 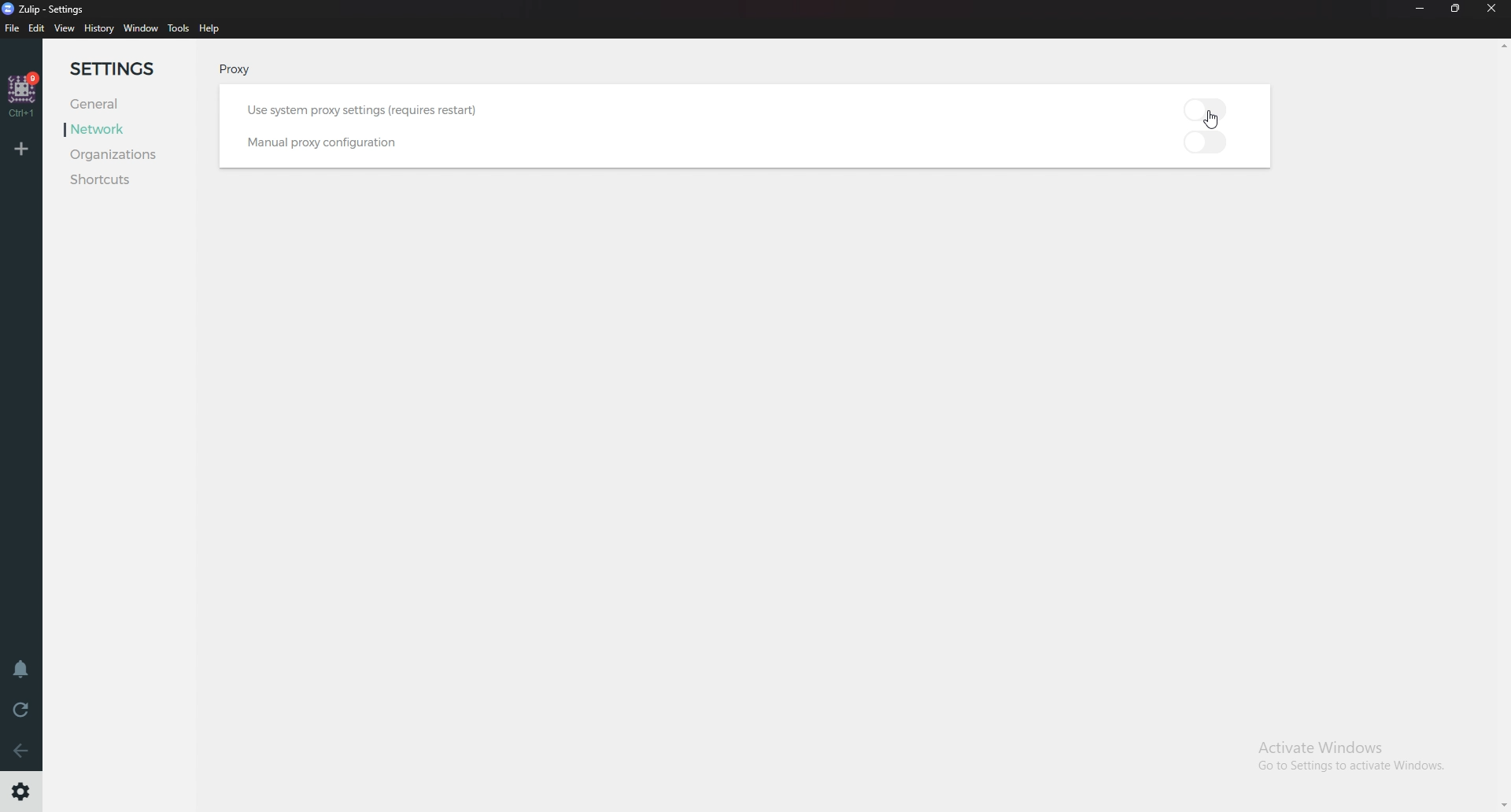 What do you see at coordinates (140, 28) in the screenshot?
I see `window` at bounding box center [140, 28].